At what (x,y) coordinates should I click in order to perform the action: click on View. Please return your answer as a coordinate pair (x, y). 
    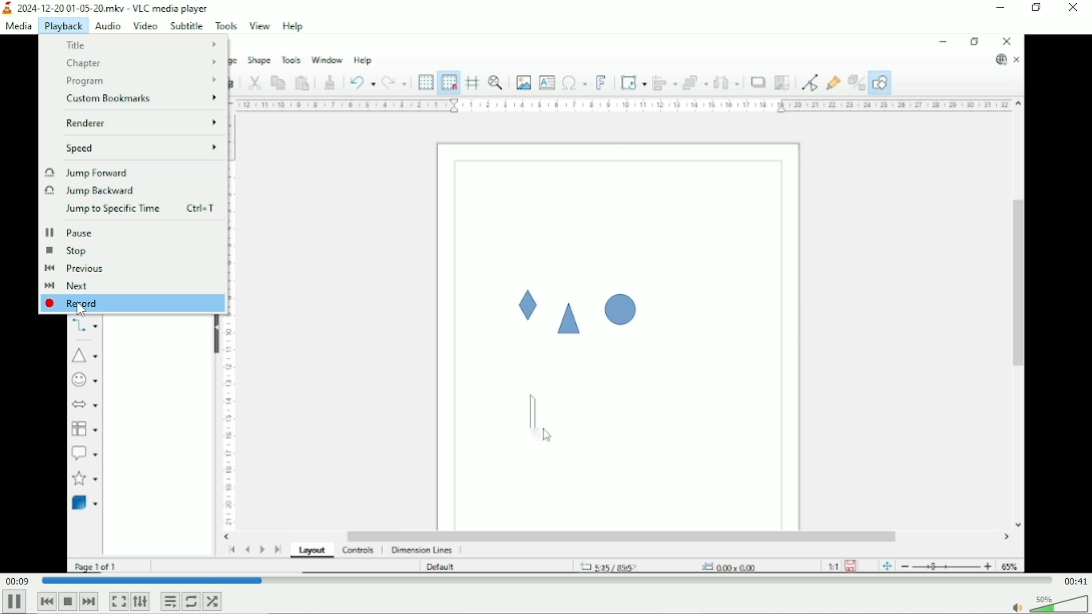
    Looking at the image, I should click on (259, 24).